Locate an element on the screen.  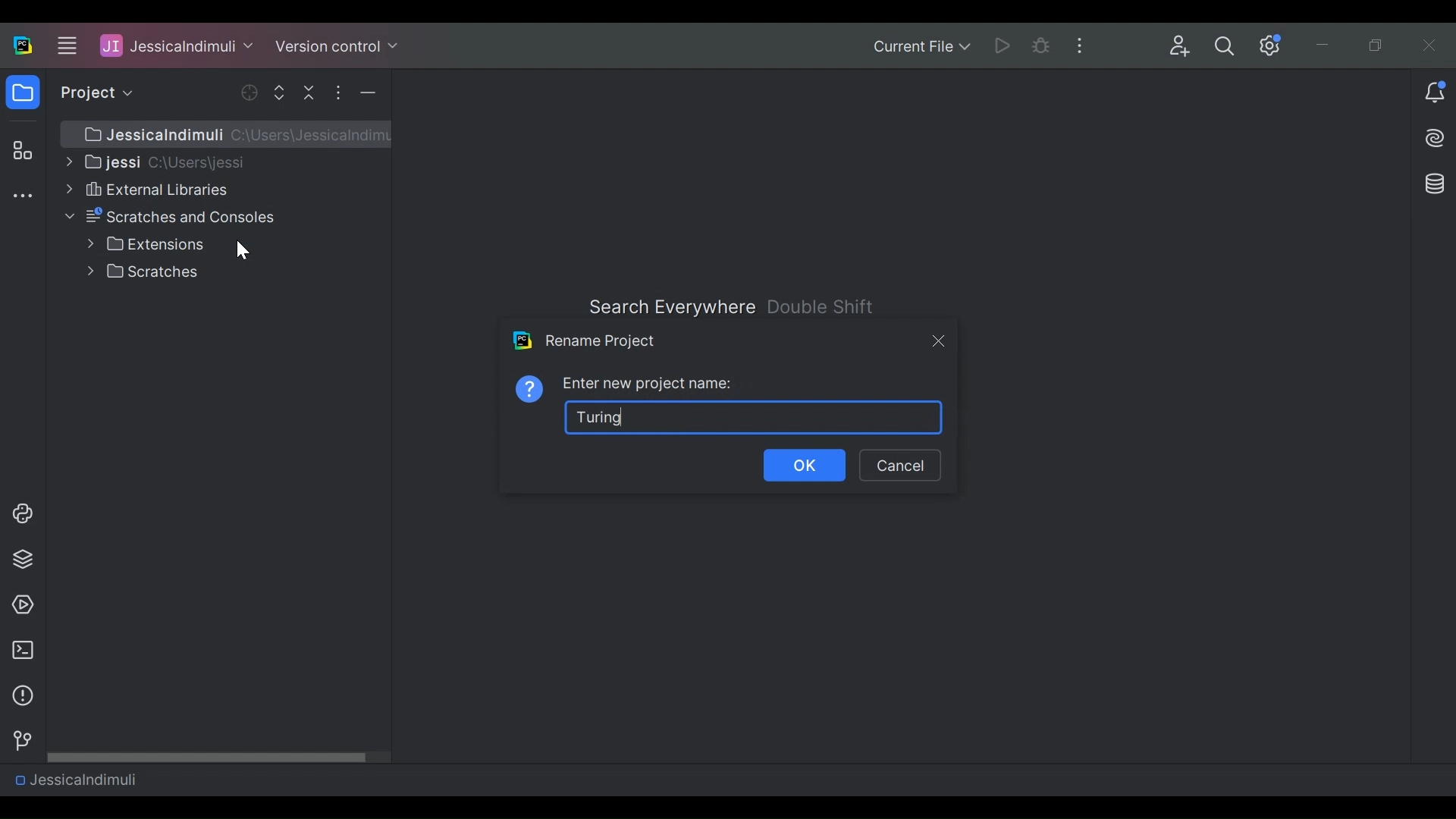
run is located at coordinates (19, 605).